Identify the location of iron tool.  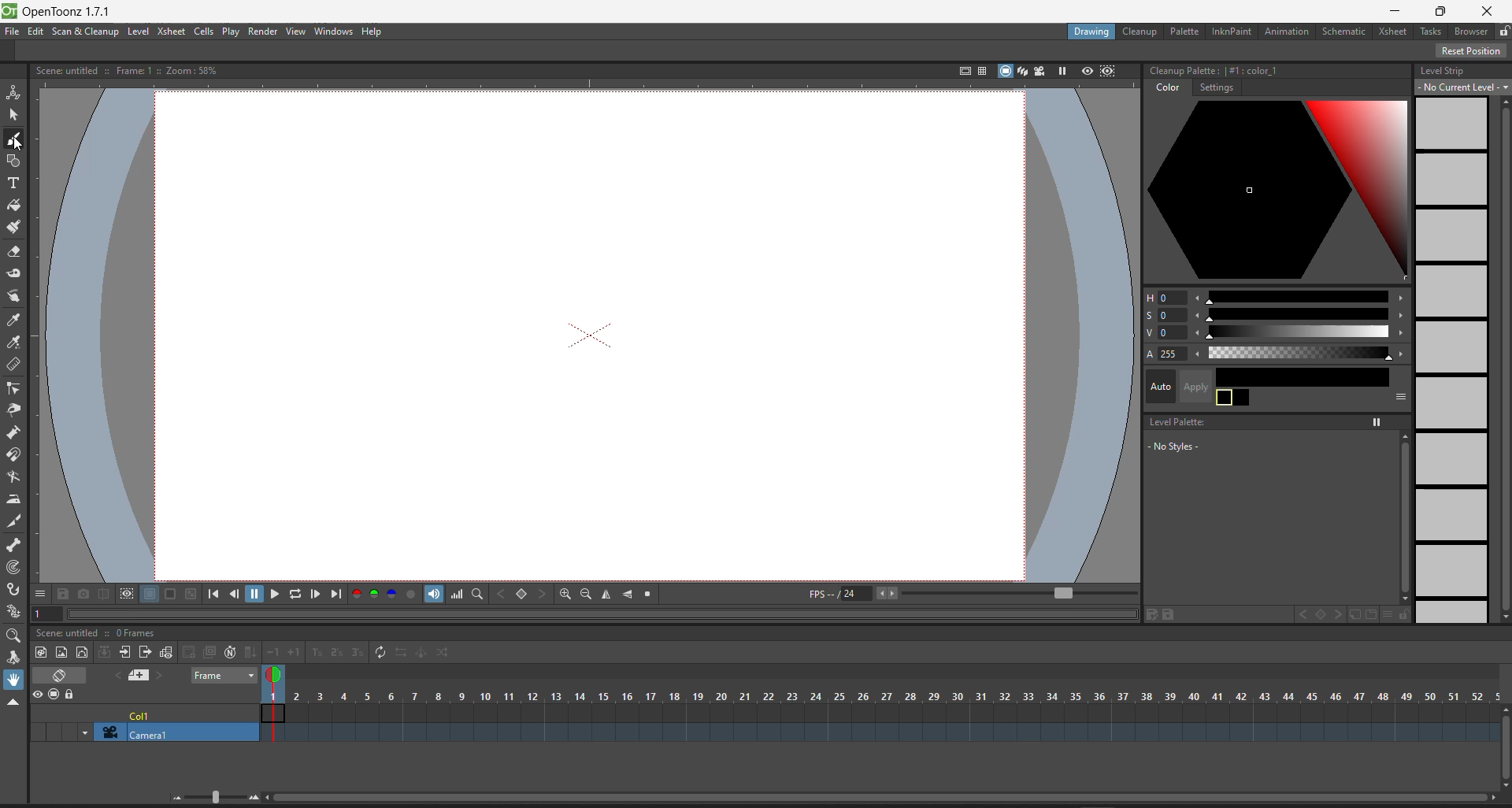
(13, 502).